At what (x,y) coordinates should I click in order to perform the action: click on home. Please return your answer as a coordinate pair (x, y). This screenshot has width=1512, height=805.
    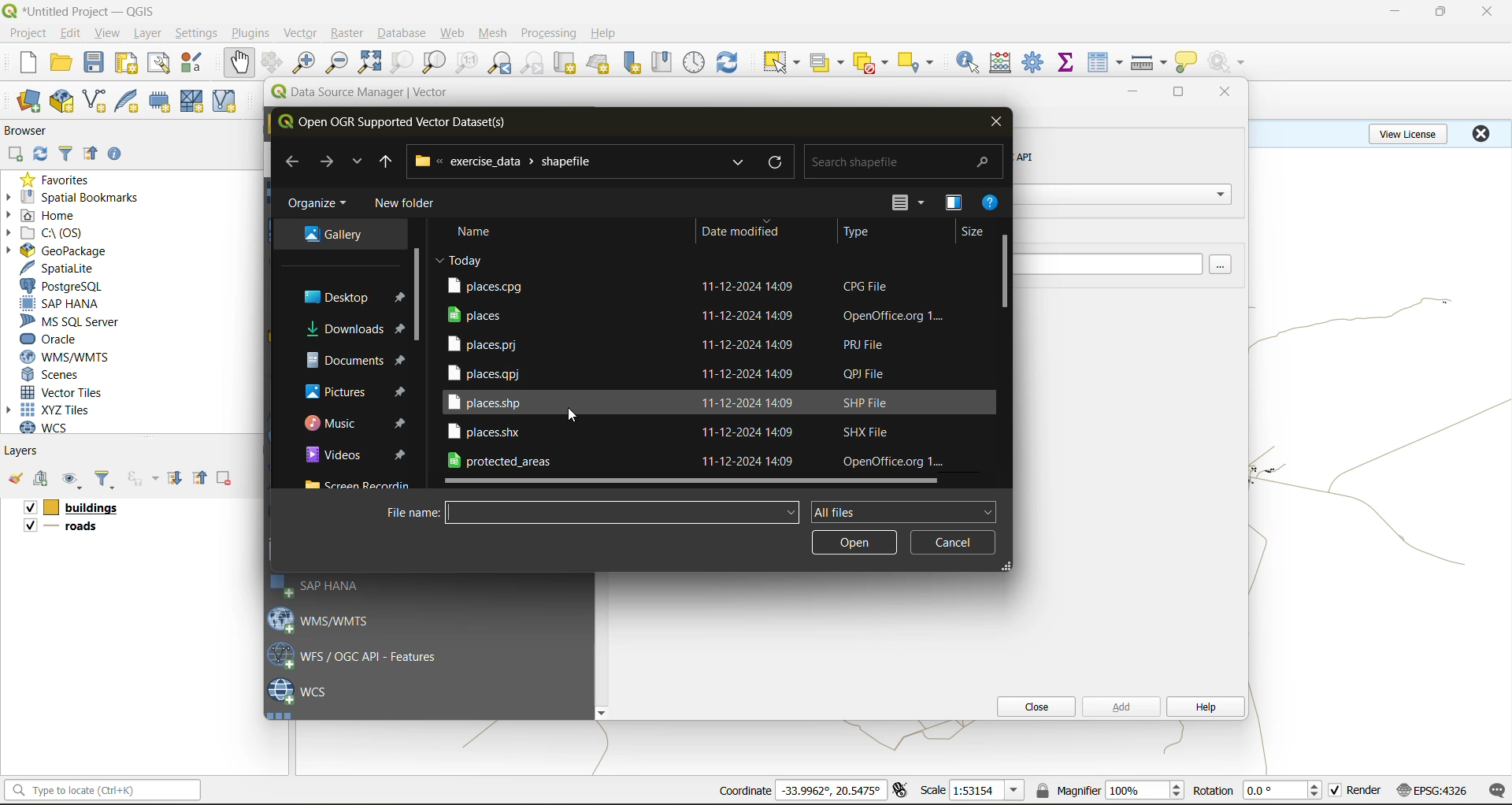
    Looking at the image, I should click on (47, 217).